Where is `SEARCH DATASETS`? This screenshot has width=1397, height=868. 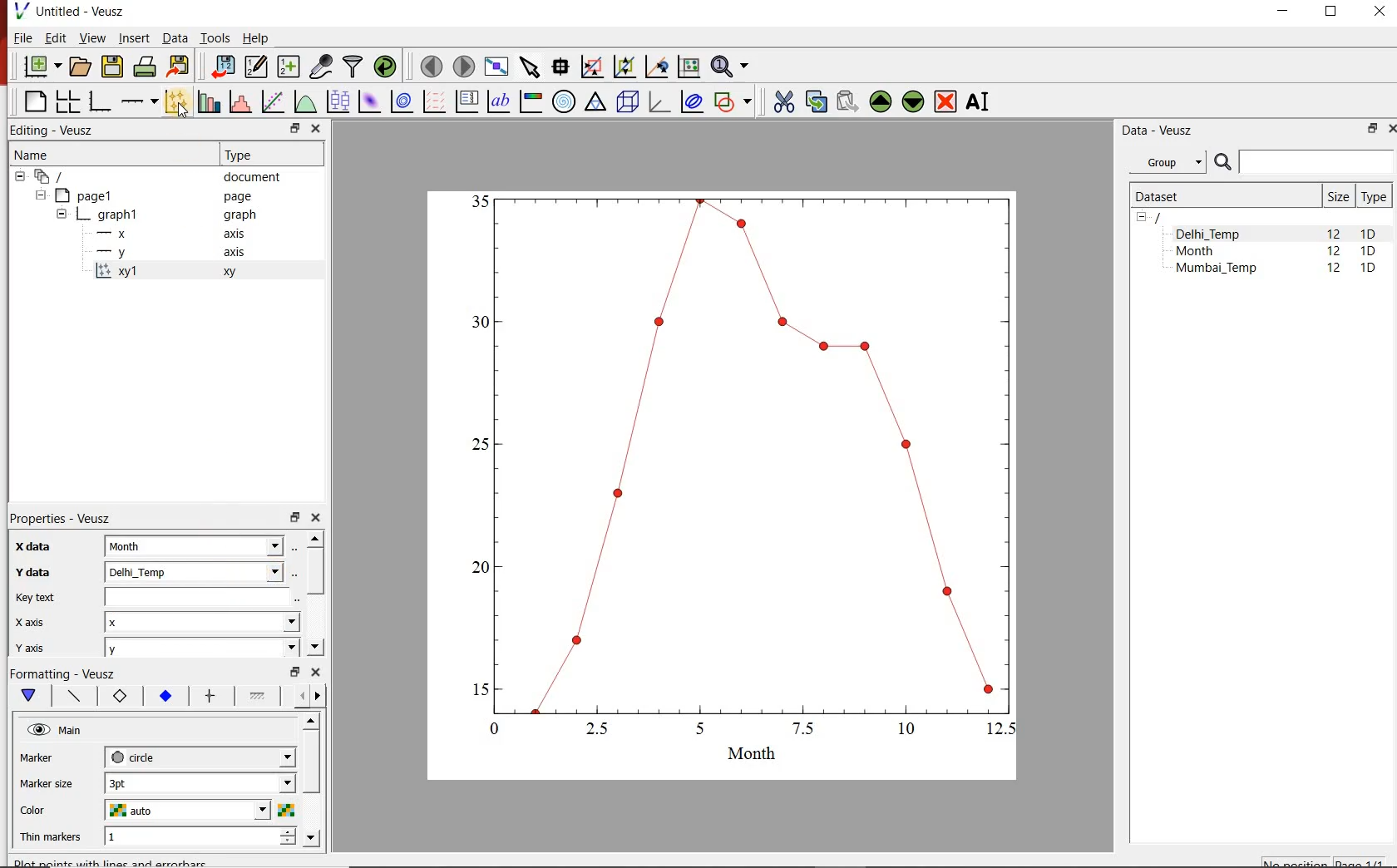
SEARCH DATASETS is located at coordinates (1303, 163).